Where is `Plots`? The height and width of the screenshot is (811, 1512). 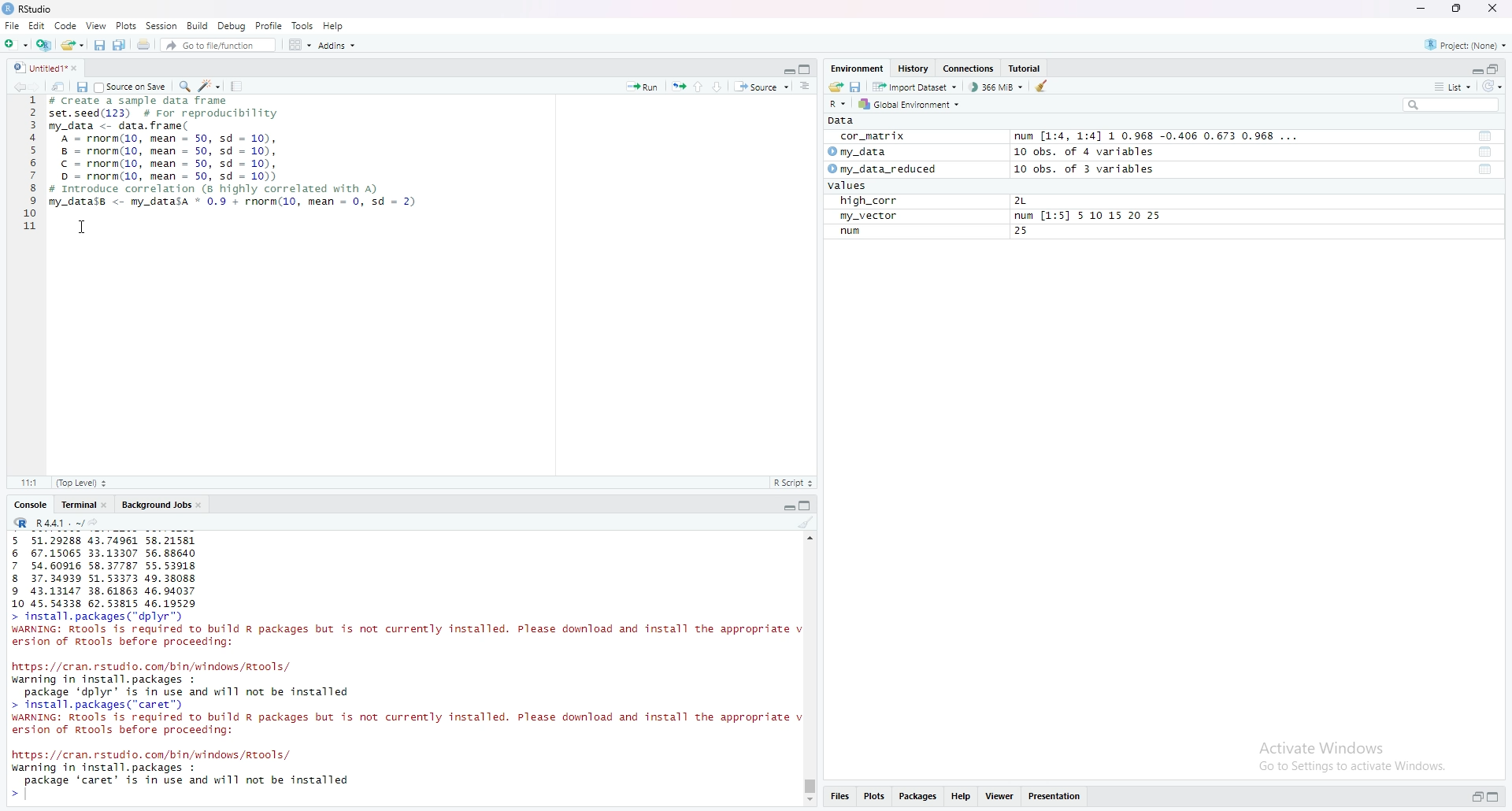 Plots is located at coordinates (127, 25).